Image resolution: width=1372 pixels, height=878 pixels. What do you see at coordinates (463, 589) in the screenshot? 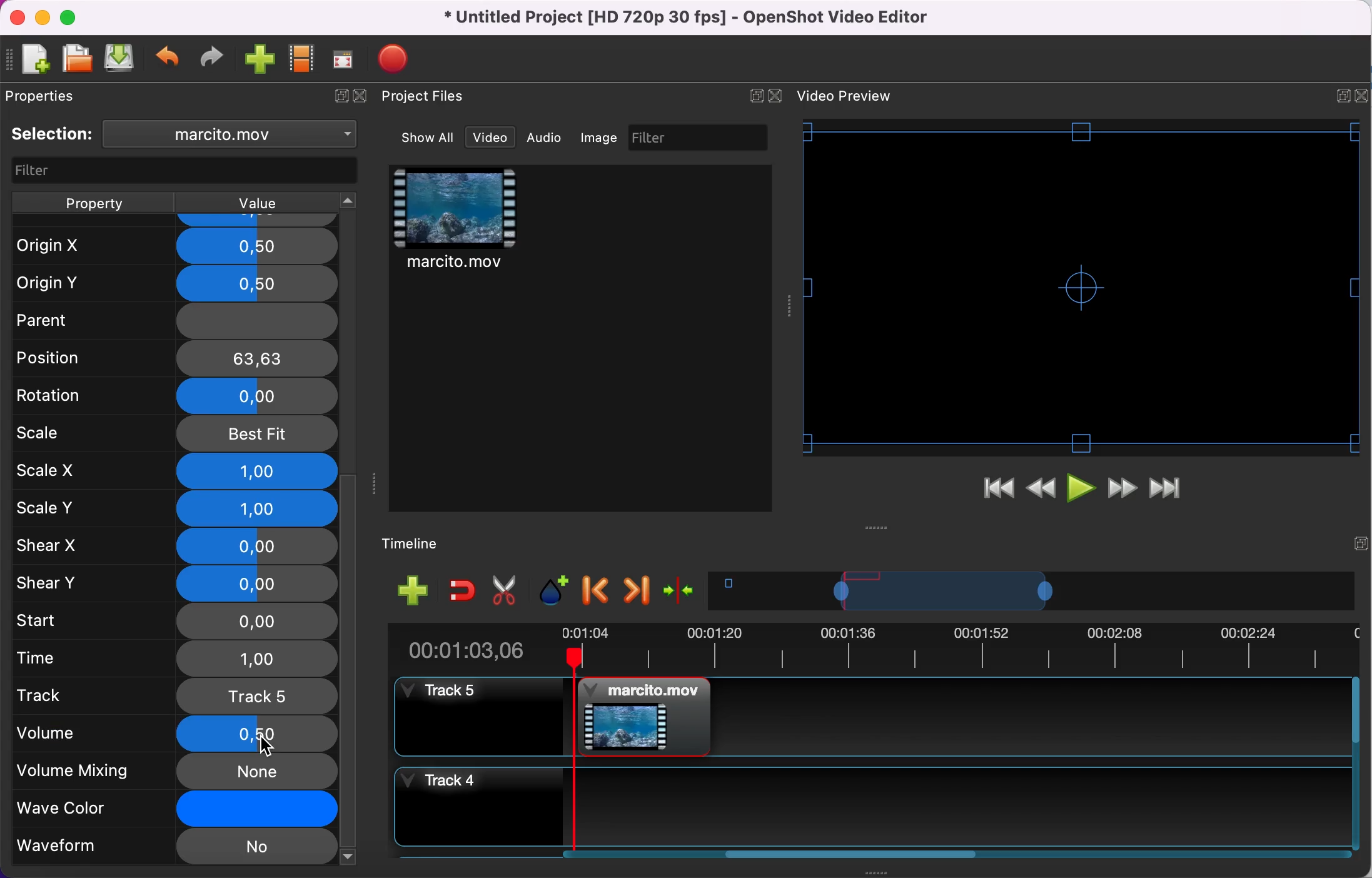
I see `enable snapping` at bounding box center [463, 589].